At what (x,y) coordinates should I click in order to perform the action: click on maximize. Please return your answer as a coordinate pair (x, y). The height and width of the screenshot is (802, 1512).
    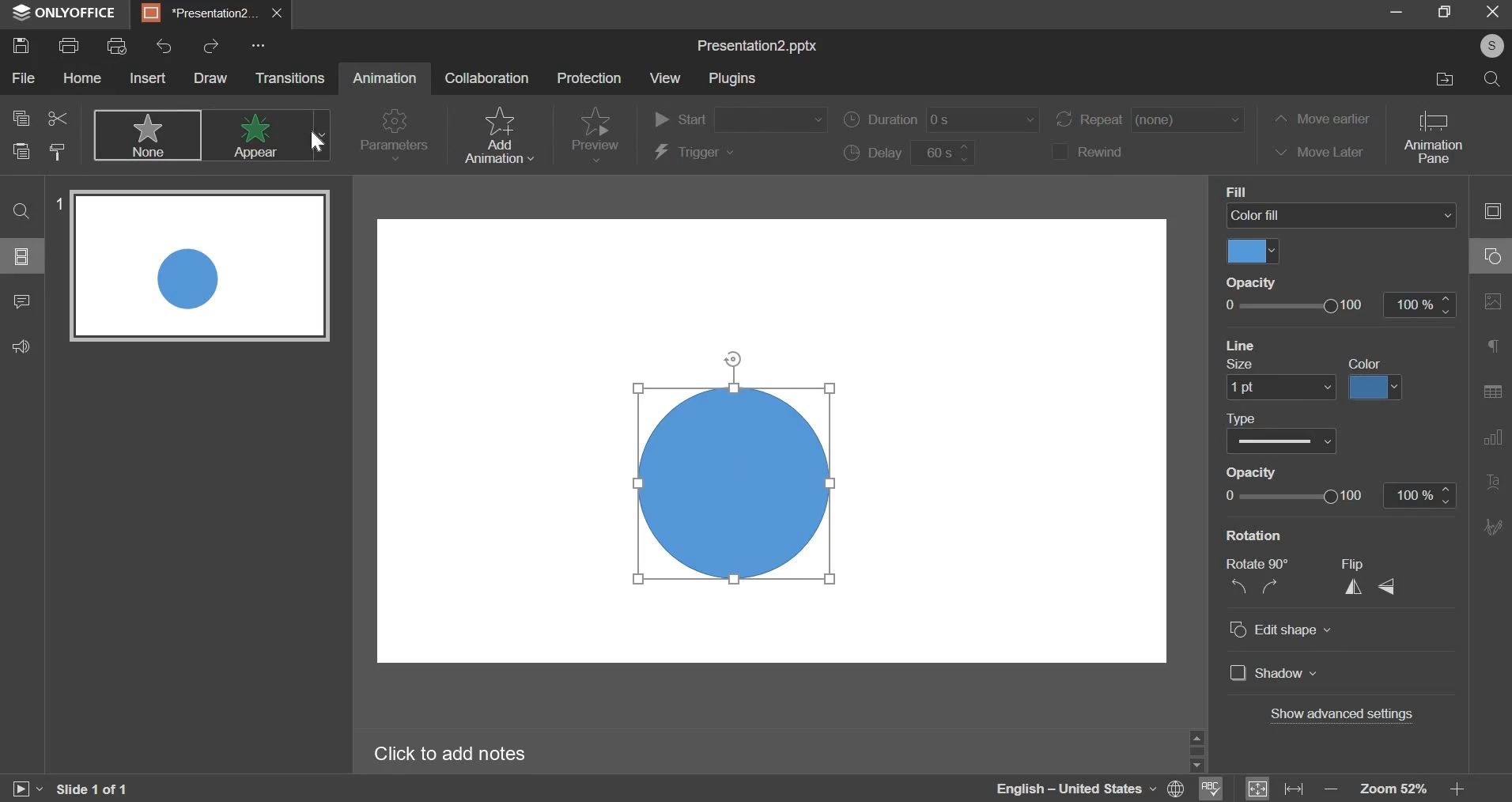
    Looking at the image, I should click on (1449, 12).